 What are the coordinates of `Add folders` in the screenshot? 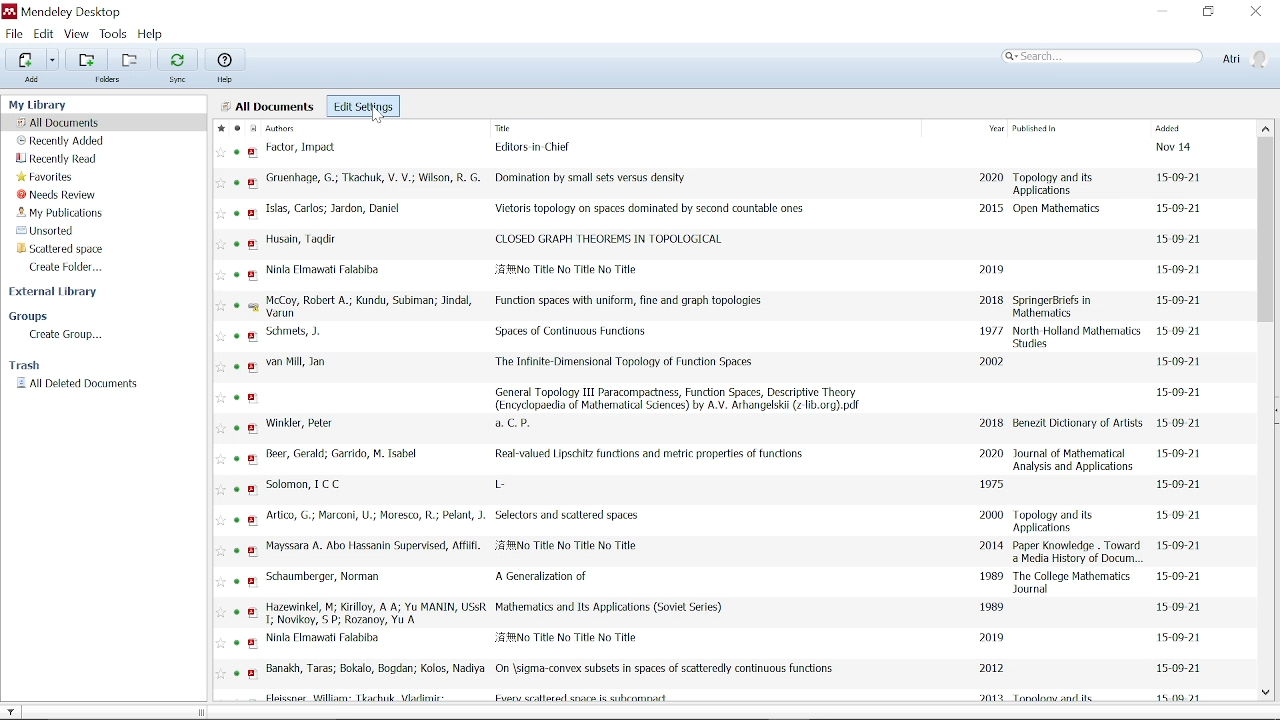 It's located at (83, 60).